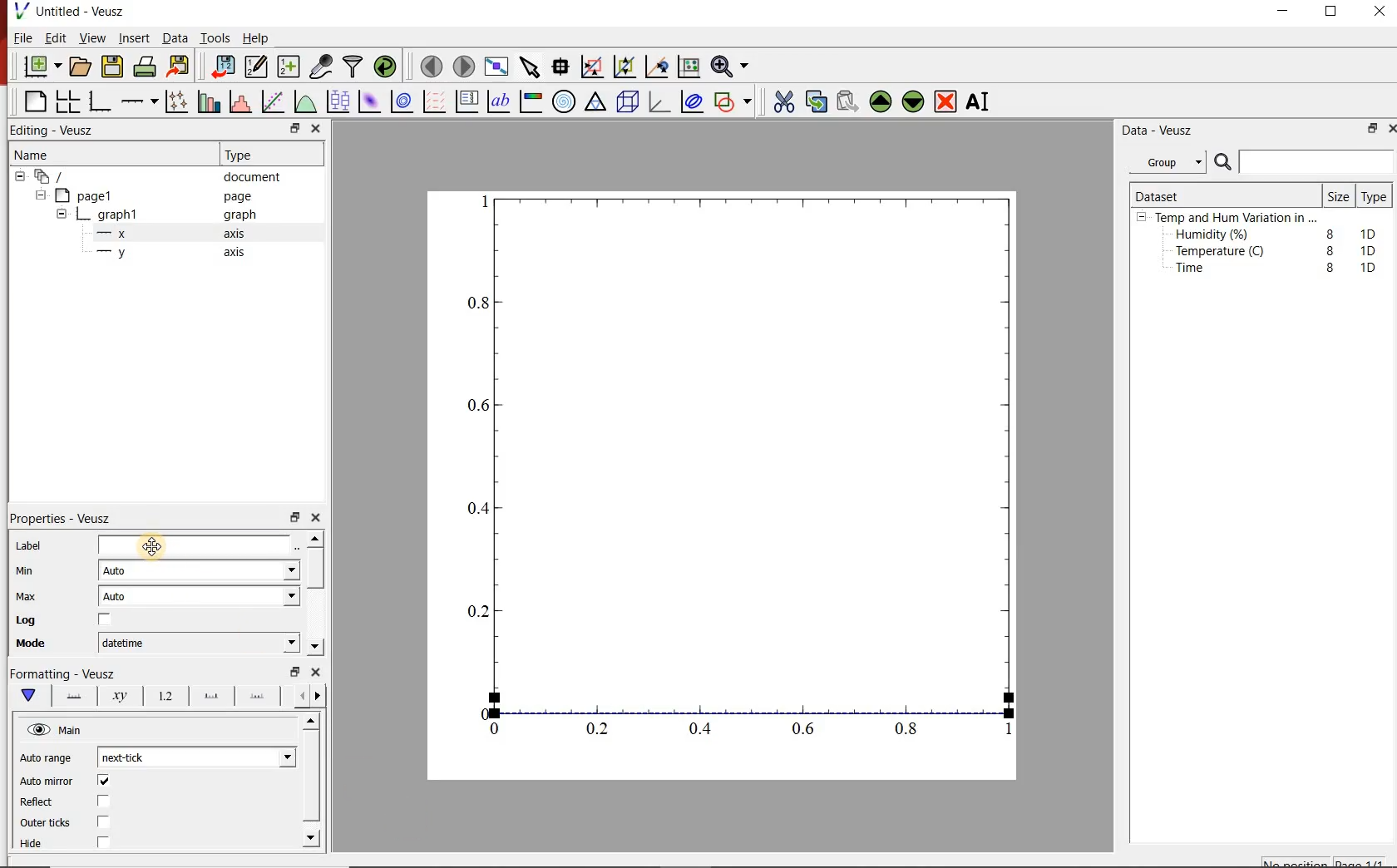 This screenshot has height=868, width=1397. What do you see at coordinates (531, 69) in the screenshot?
I see `select items from the graph or scroll` at bounding box center [531, 69].